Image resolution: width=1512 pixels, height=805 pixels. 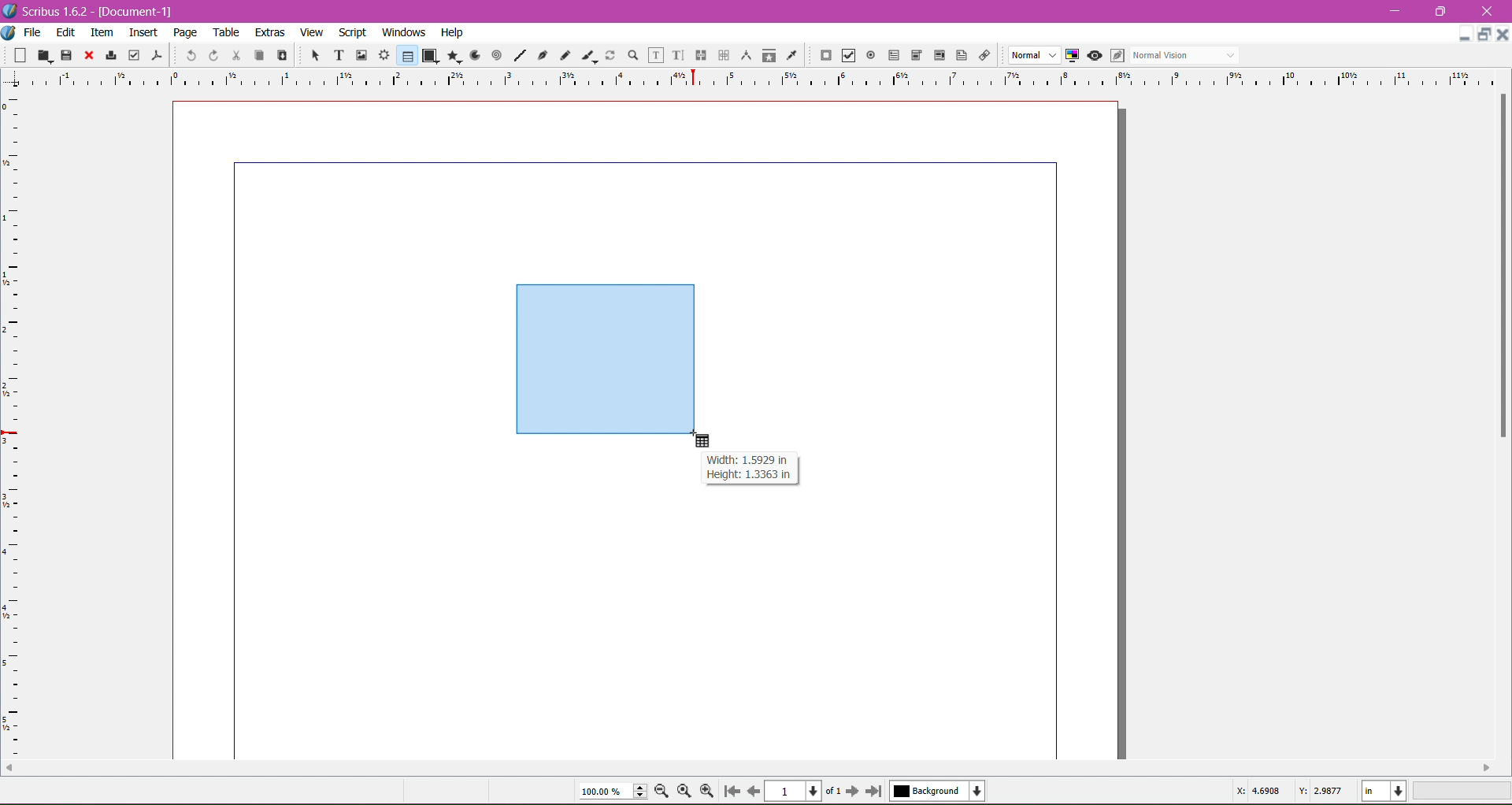 I want to click on Line, so click(x=517, y=56).